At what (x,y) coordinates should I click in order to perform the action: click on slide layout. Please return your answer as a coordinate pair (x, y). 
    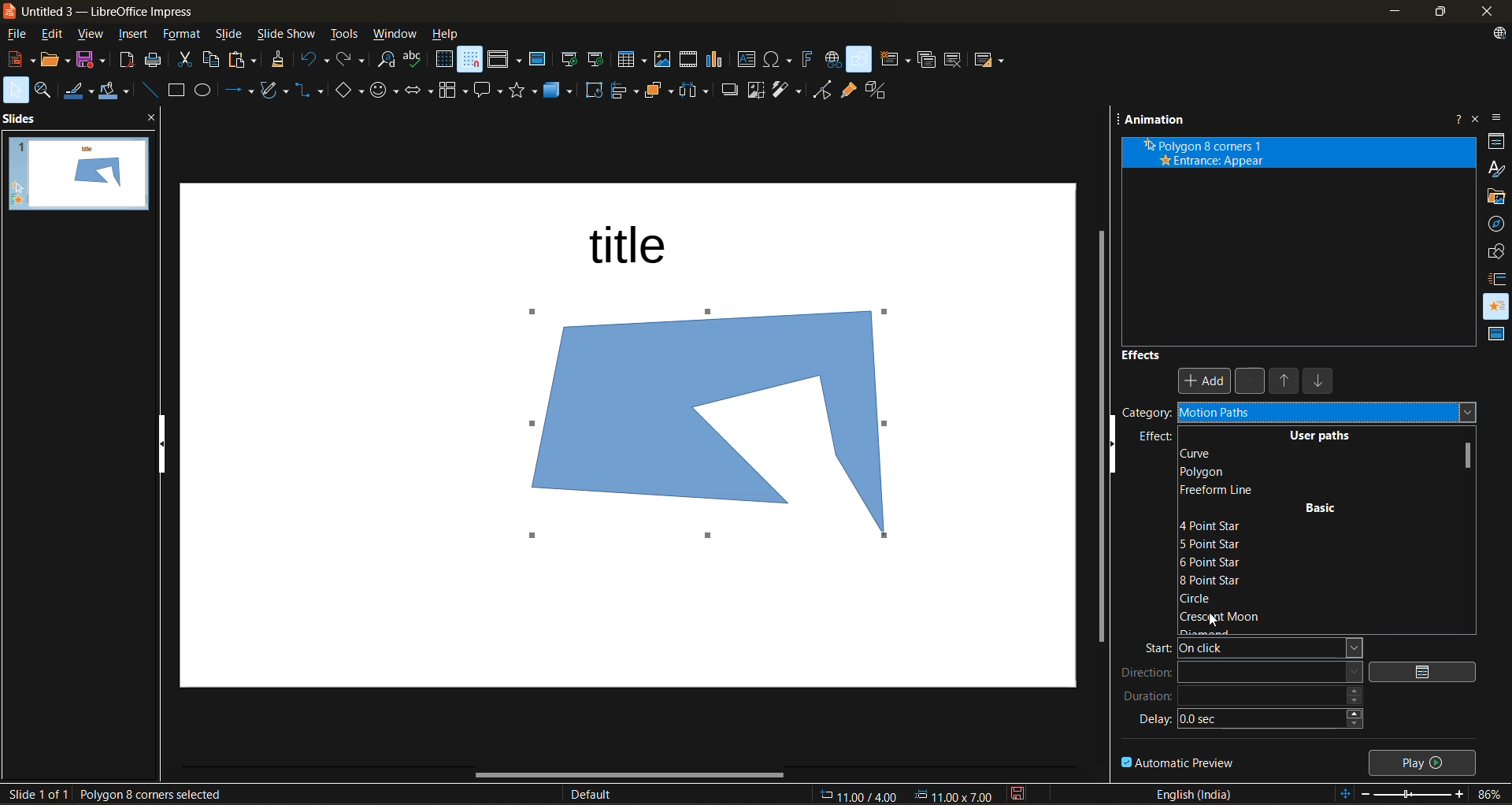
    Looking at the image, I should click on (991, 62).